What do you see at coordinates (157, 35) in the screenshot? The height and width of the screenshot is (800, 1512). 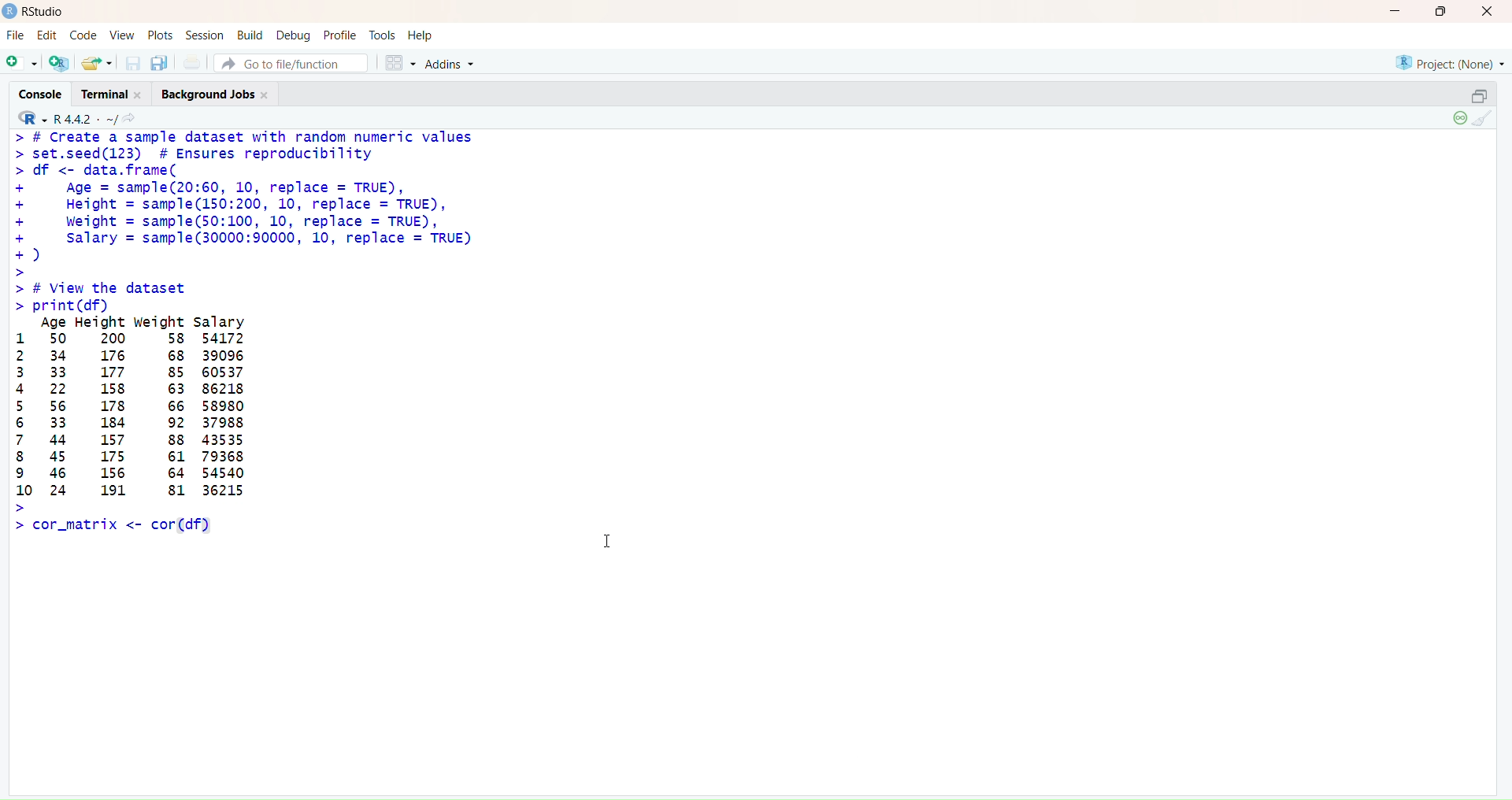 I see `Posts` at bounding box center [157, 35].